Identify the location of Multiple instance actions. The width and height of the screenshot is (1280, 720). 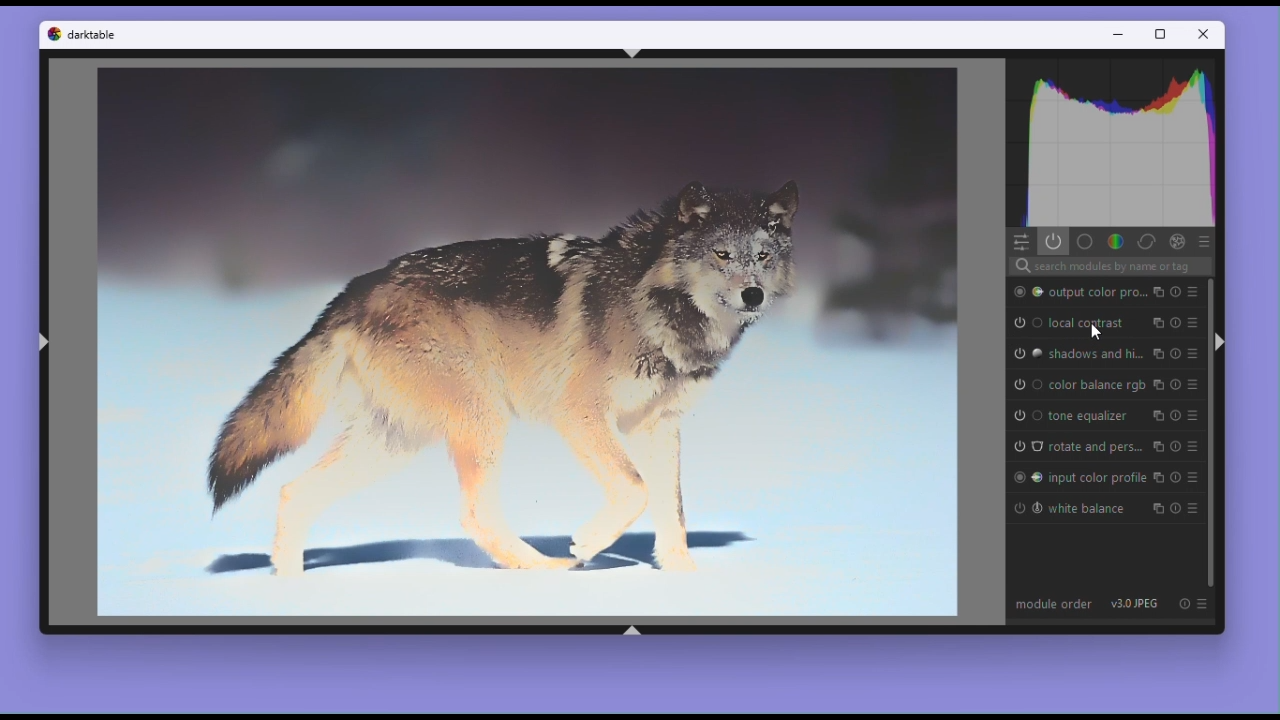
(1157, 441).